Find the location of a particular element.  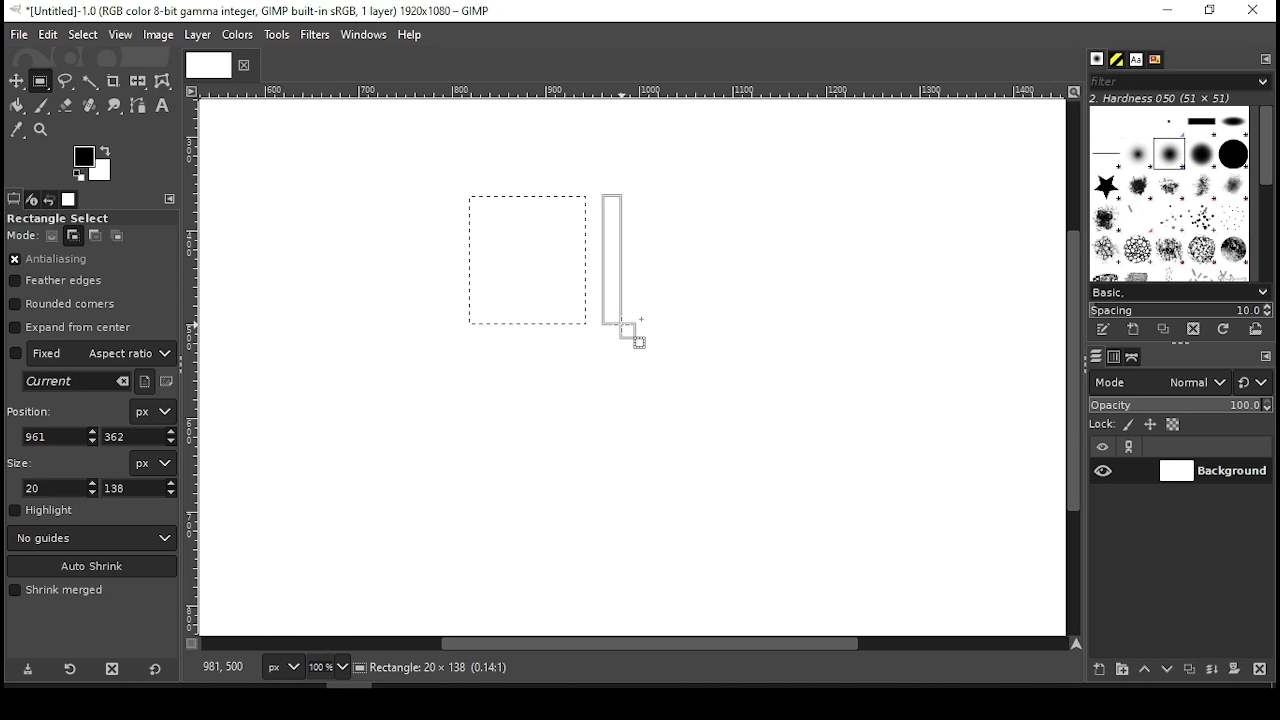

colors is located at coordinates (93, 163).